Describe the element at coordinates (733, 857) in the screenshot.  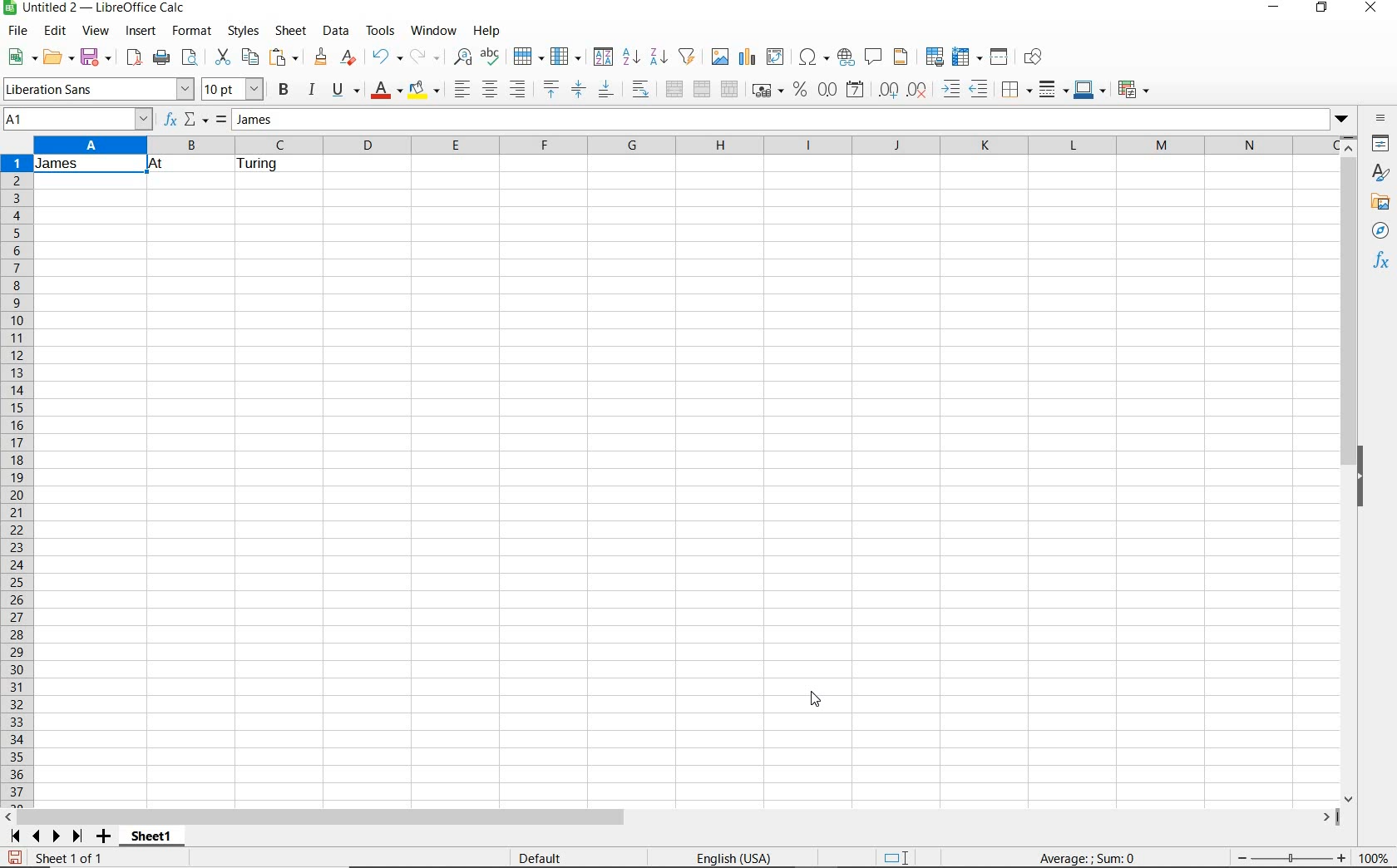
I see `language` at that location.